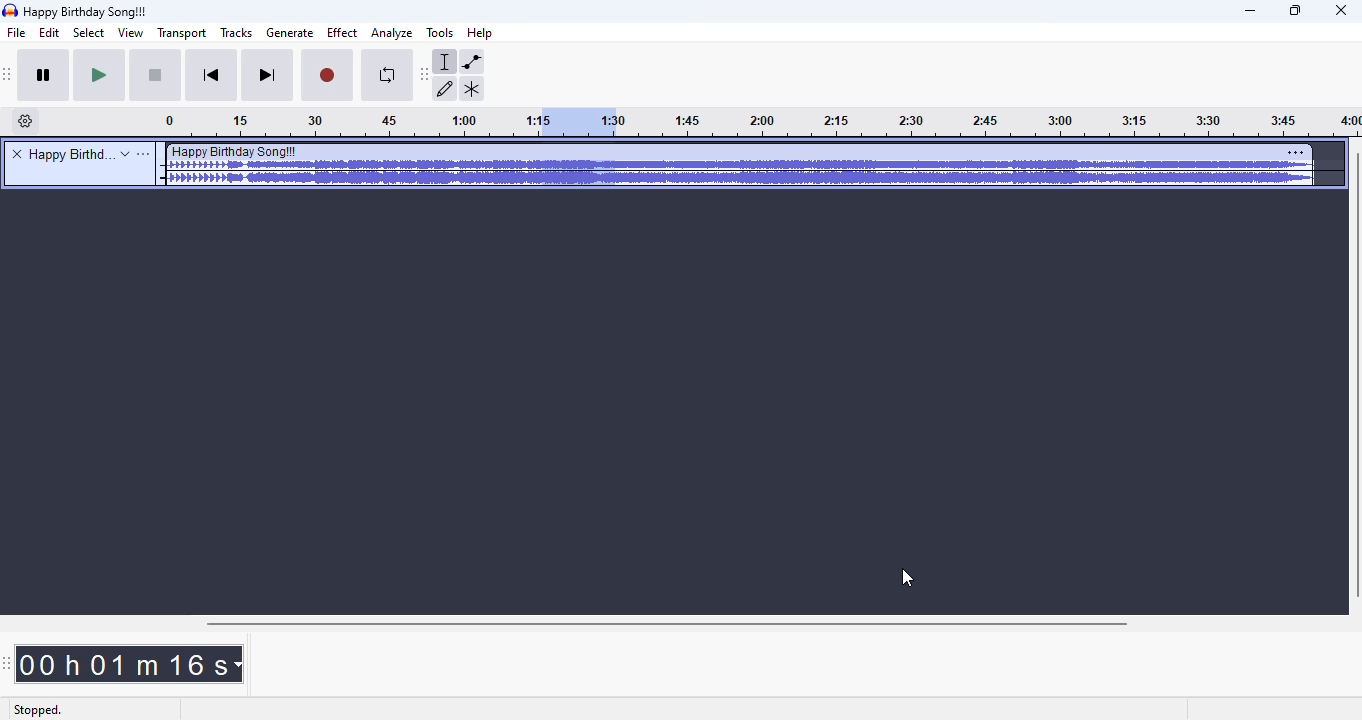 The image size is (1362, 720). Describe the element at coordinates (37, 711) in the screenshot. I see `stopped.` at that location.